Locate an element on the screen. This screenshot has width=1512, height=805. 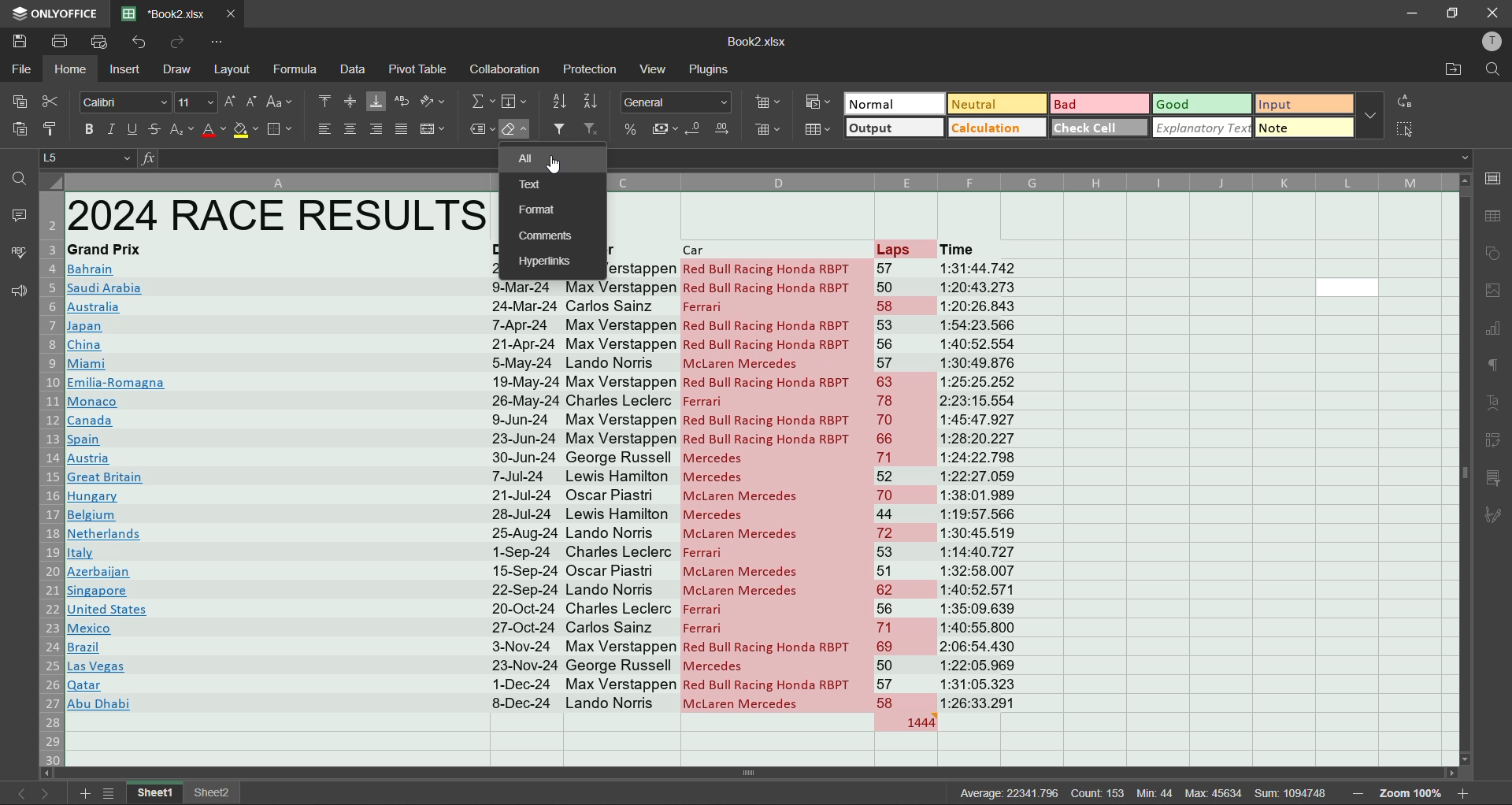
 is located at coordinates (515, 102).